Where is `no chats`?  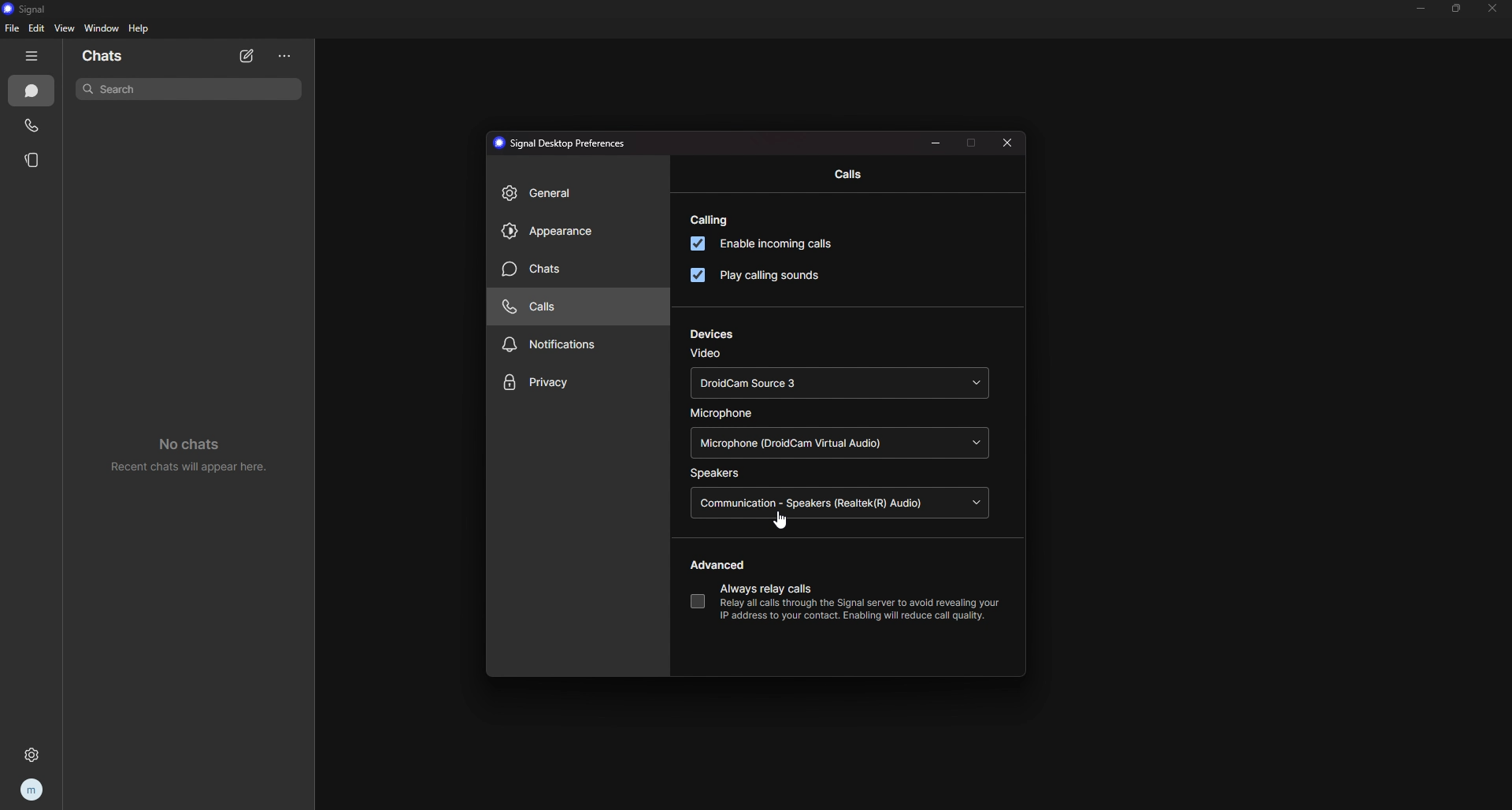 no chats is located at coordinates (187, 454).